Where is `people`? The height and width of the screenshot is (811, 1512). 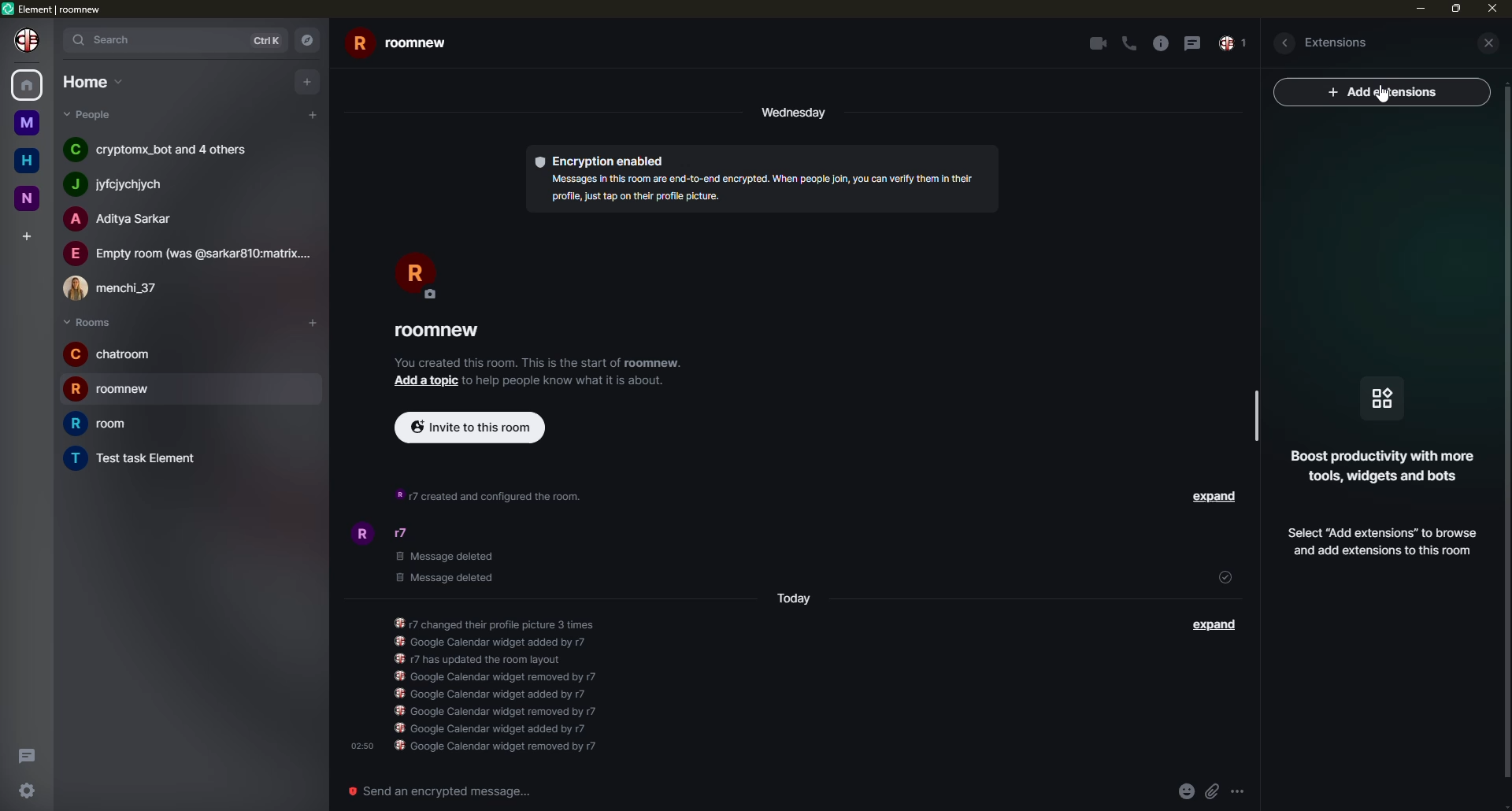
people is located at coordinates (115, 185).